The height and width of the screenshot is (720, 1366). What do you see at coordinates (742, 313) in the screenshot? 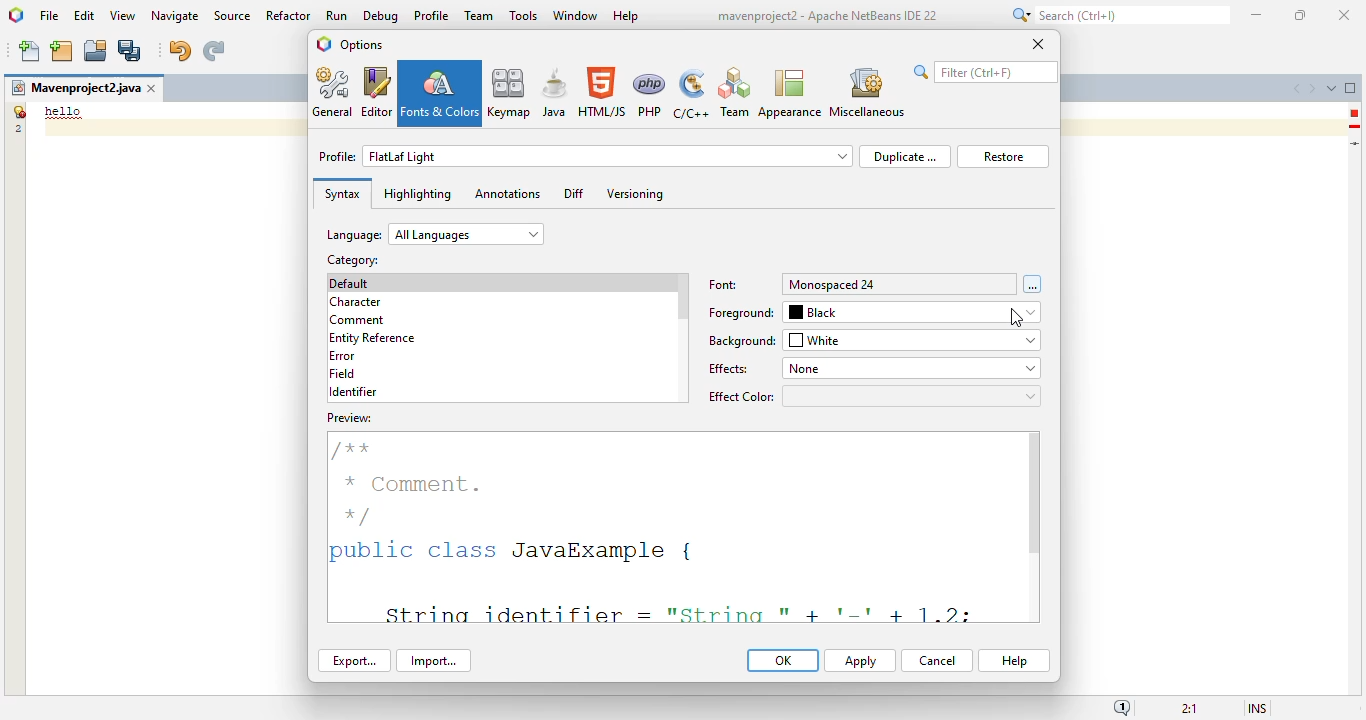
I see `foreground: ` at bounding box center [742, 313].